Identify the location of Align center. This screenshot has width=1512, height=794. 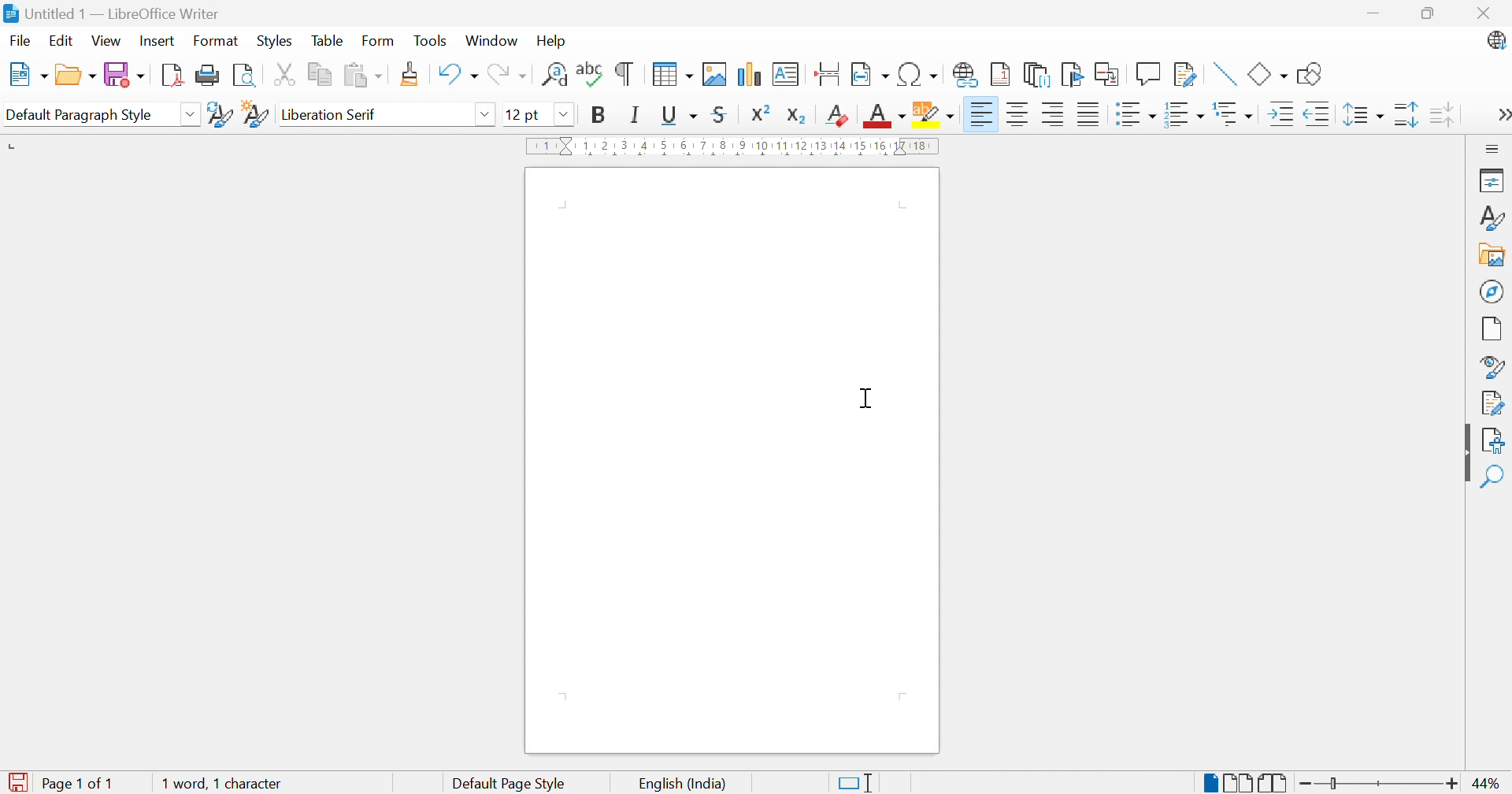
(1021, 114).